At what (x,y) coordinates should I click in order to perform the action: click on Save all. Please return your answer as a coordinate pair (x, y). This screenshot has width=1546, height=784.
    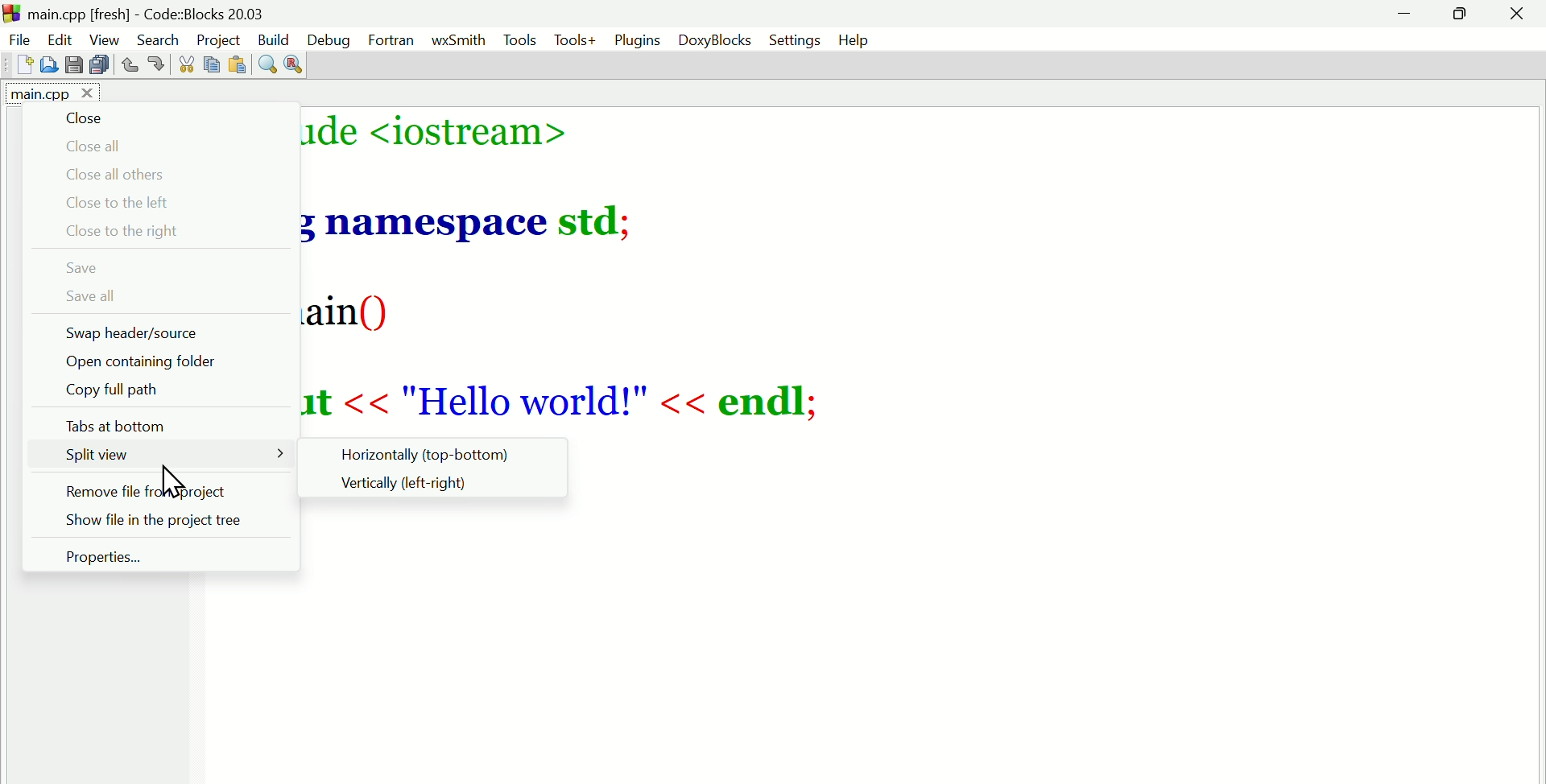
    Looking at the image, I should click on (105, 300).